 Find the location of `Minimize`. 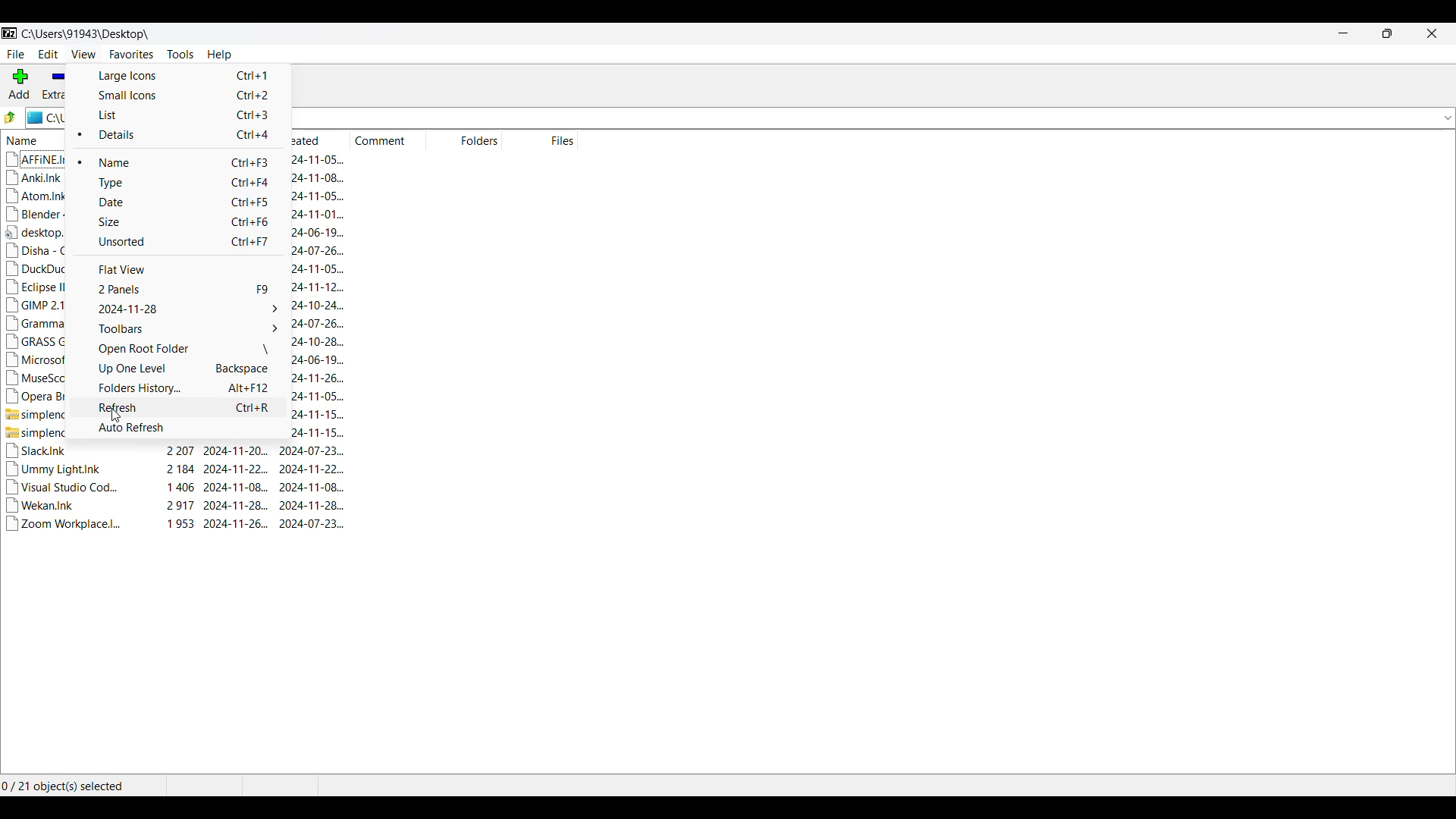

Minimize is located at coordinates (1343, 33).